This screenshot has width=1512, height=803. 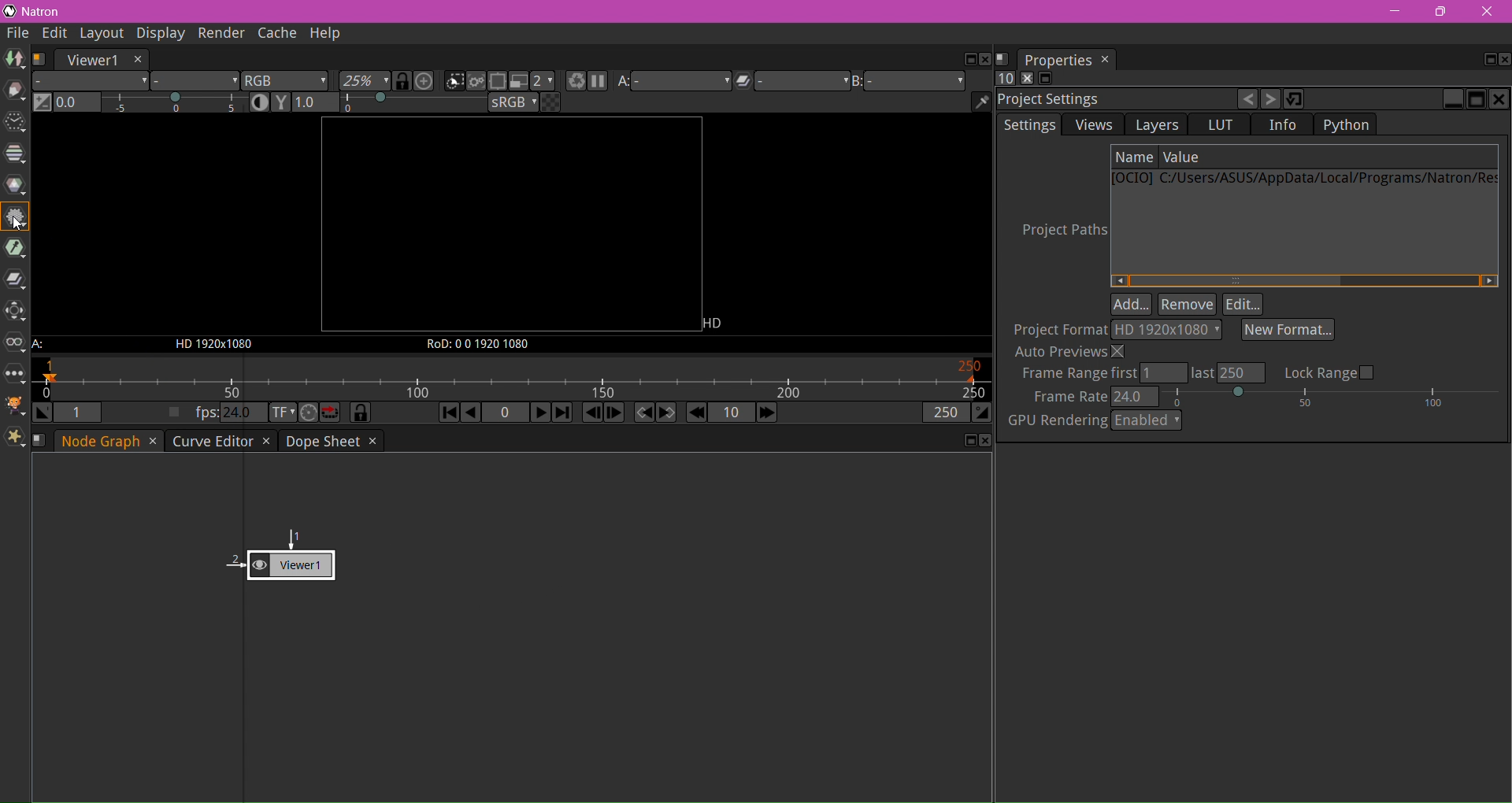 I want to click on Close pane, so click(x=1503, y=59).